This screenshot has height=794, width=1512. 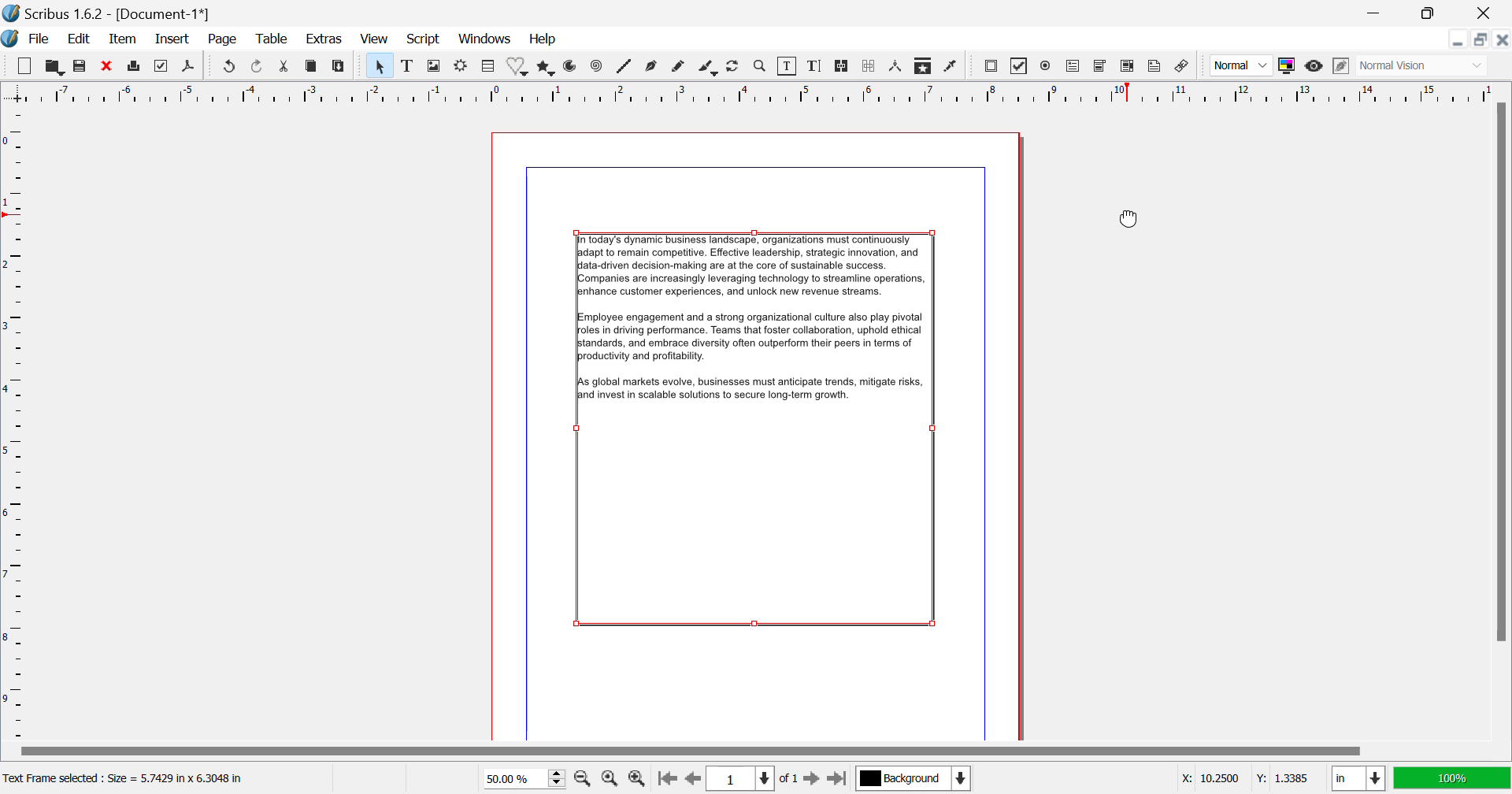 What do you see at coordinates (923, 65) in the screenshot?
I see `Copy Item Properties` at bounding box center [923, 65].